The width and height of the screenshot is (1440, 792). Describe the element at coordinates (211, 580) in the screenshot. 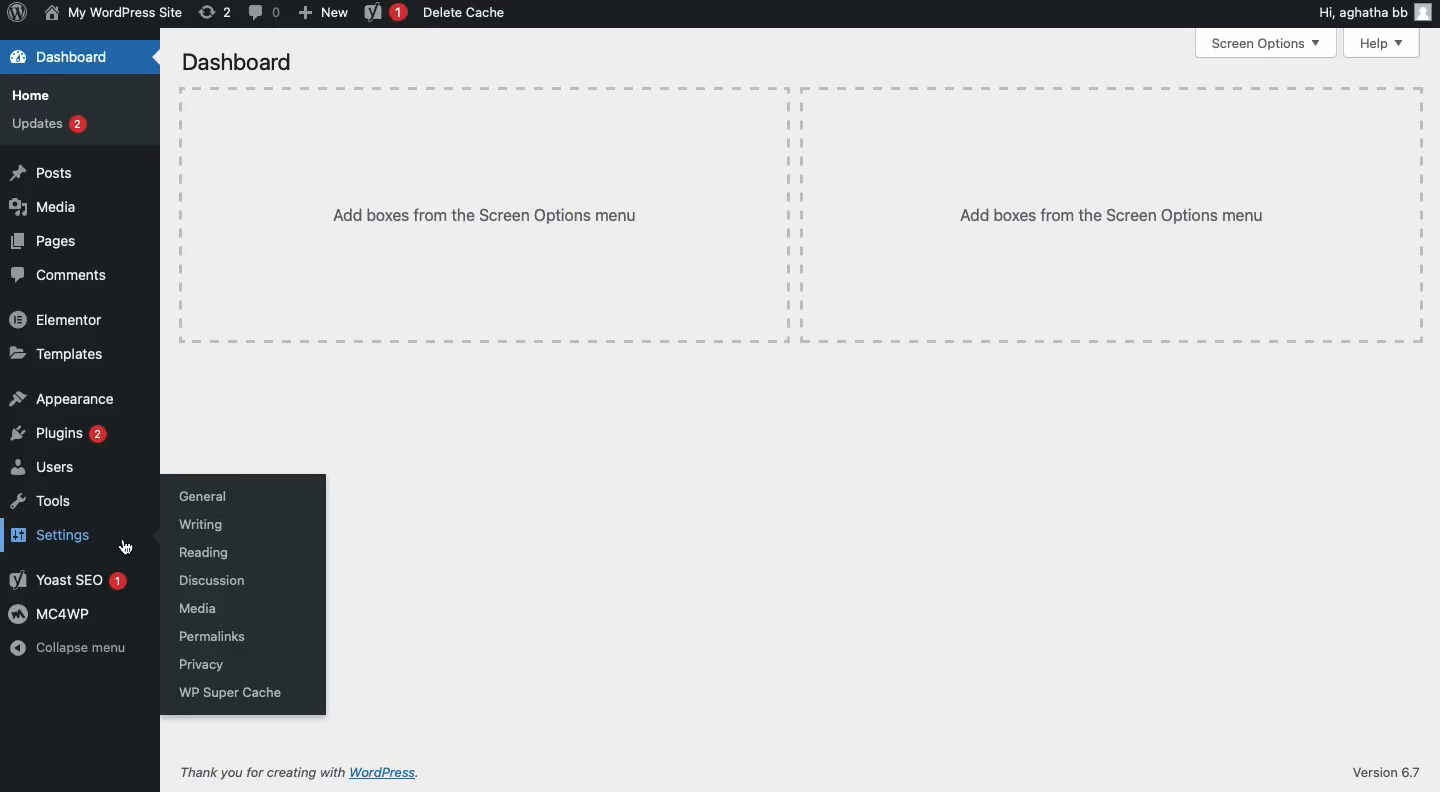

I see `Discussion` at that location.